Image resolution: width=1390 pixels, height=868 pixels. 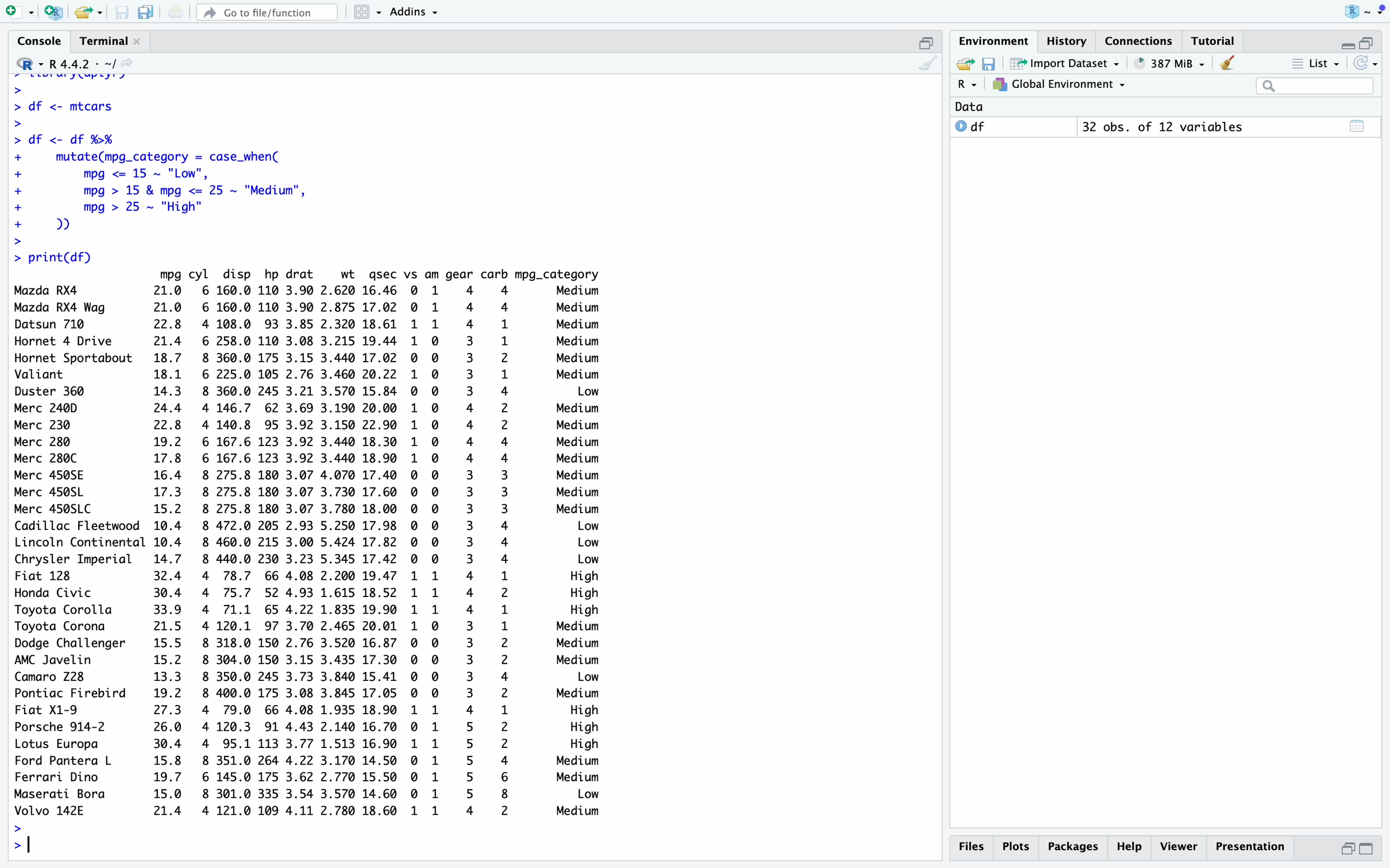 I want to click on grid, so click(x=369, y=12).